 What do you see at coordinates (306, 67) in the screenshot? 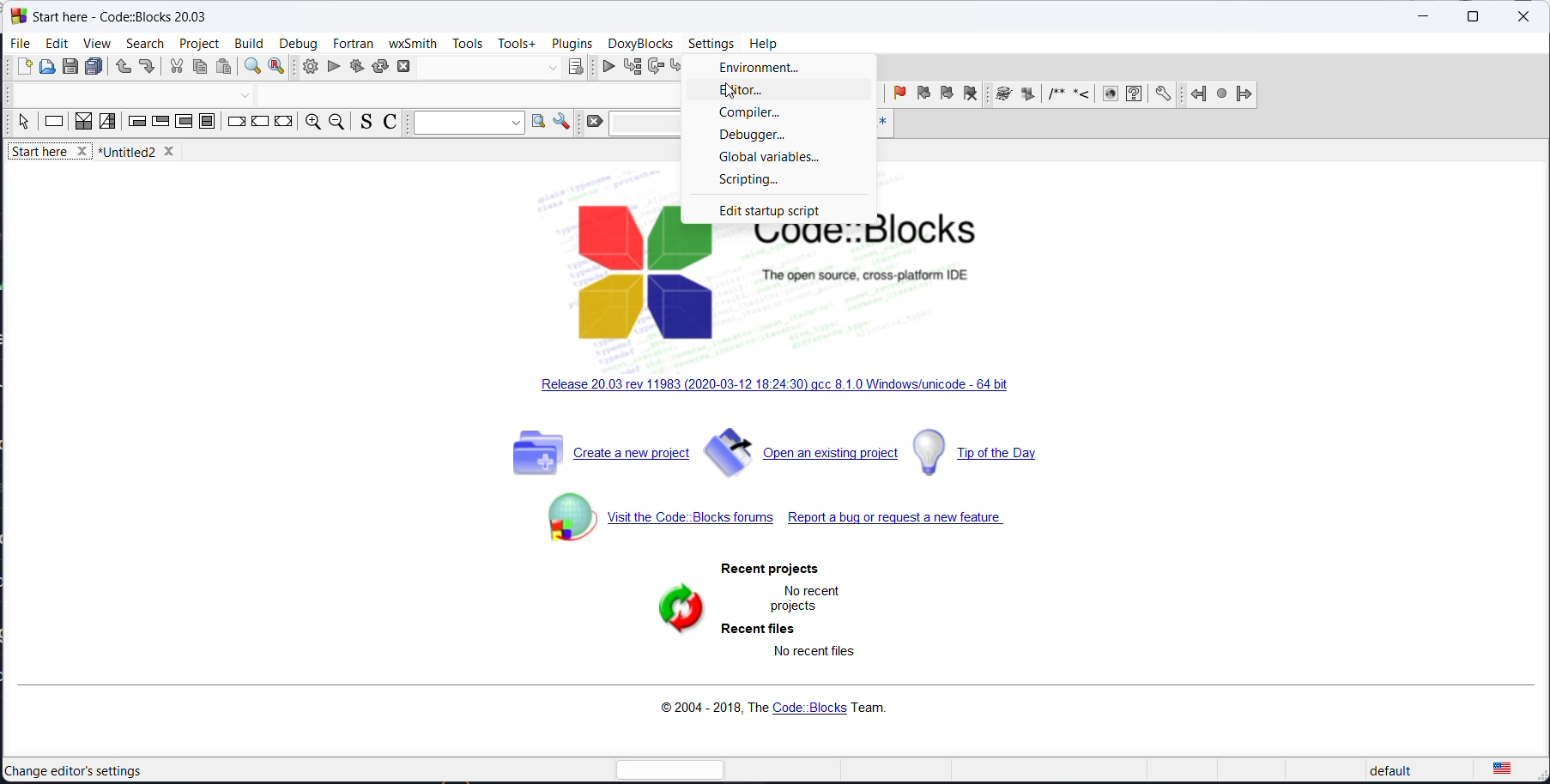
I see `build` at bounding box center [306, 67].